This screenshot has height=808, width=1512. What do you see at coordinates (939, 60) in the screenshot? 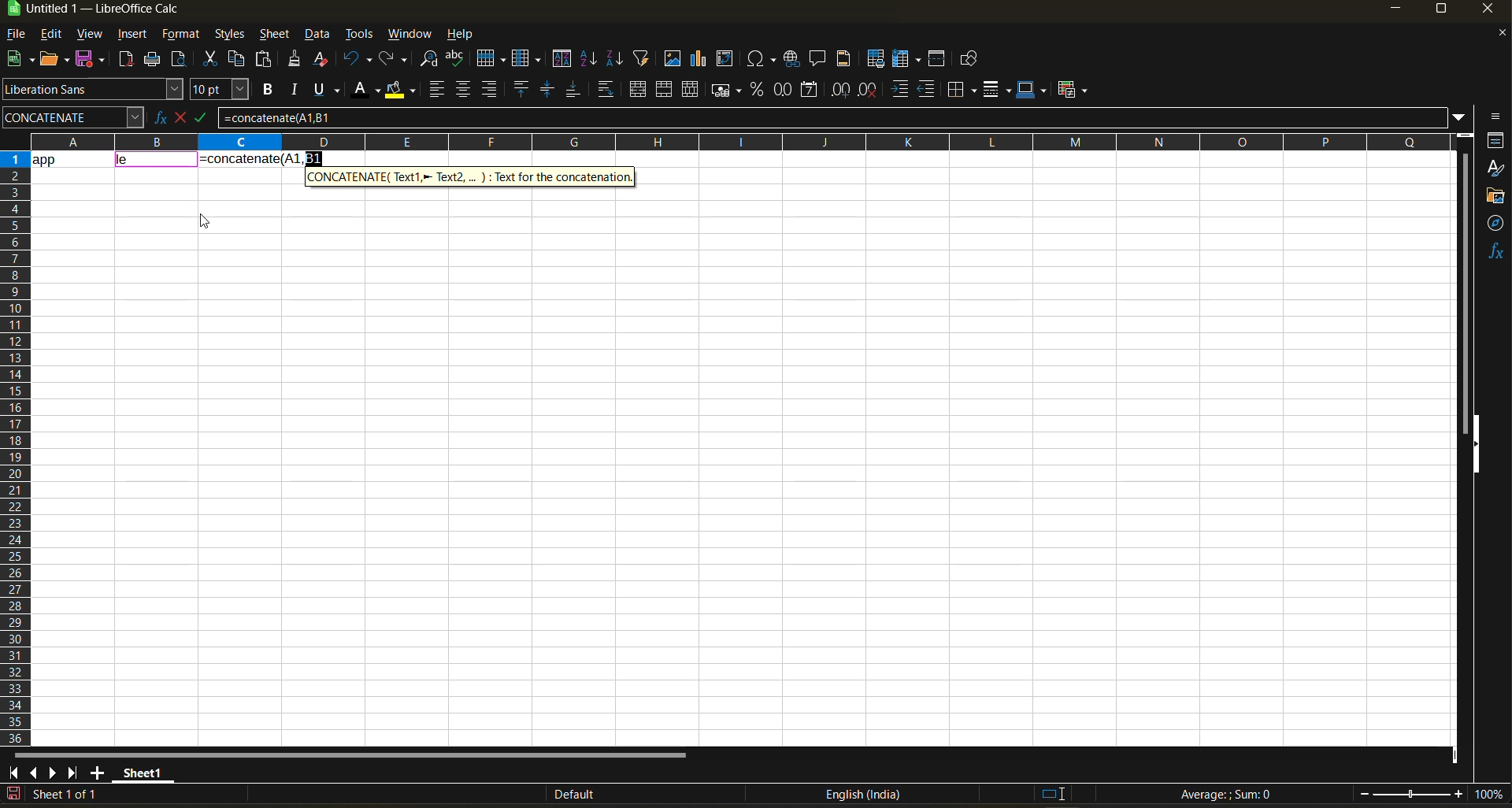
I see `split window` at bounding box center [939, 60].